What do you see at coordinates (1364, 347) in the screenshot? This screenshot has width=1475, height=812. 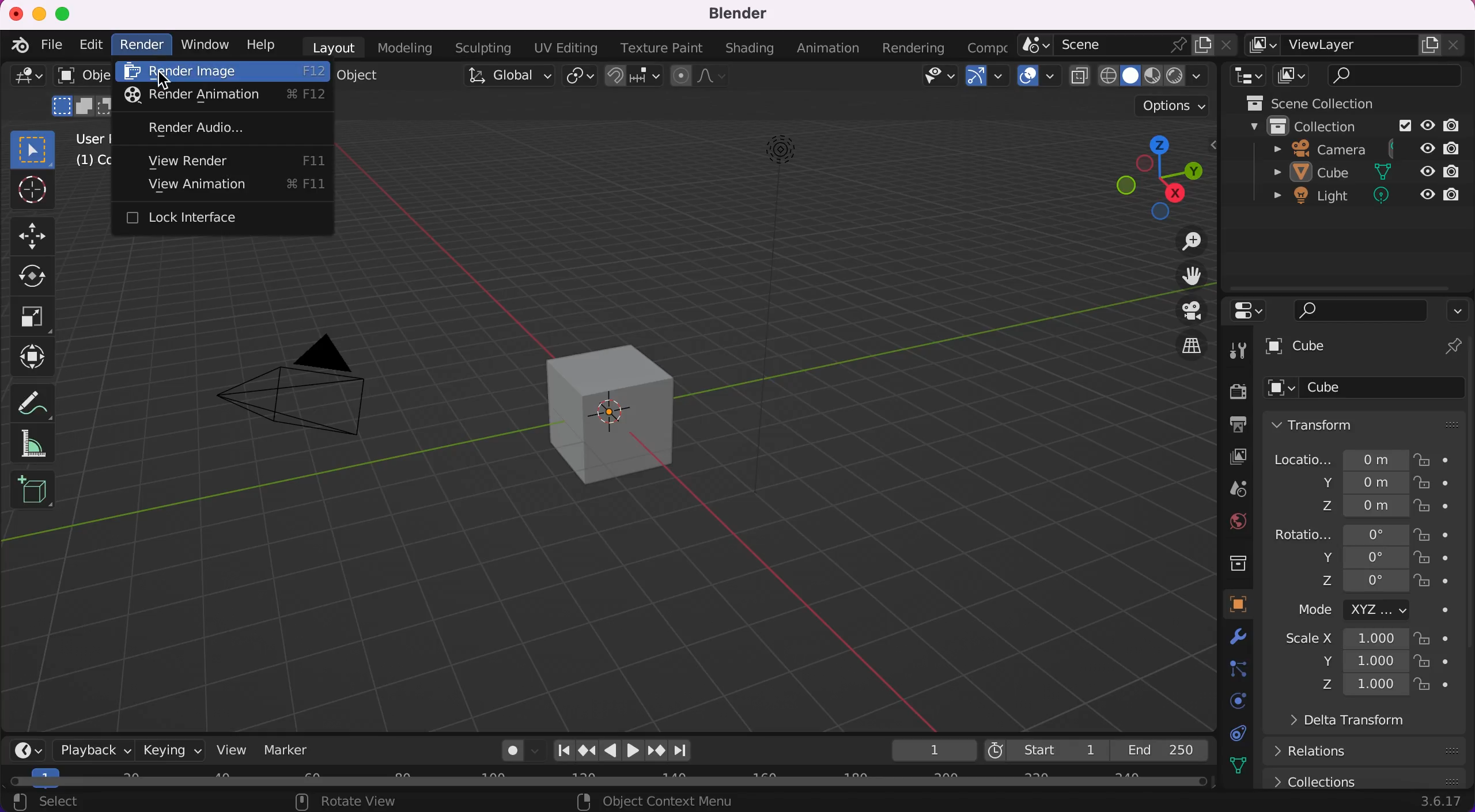 I see `cube` at bounding box center [1364, 347].